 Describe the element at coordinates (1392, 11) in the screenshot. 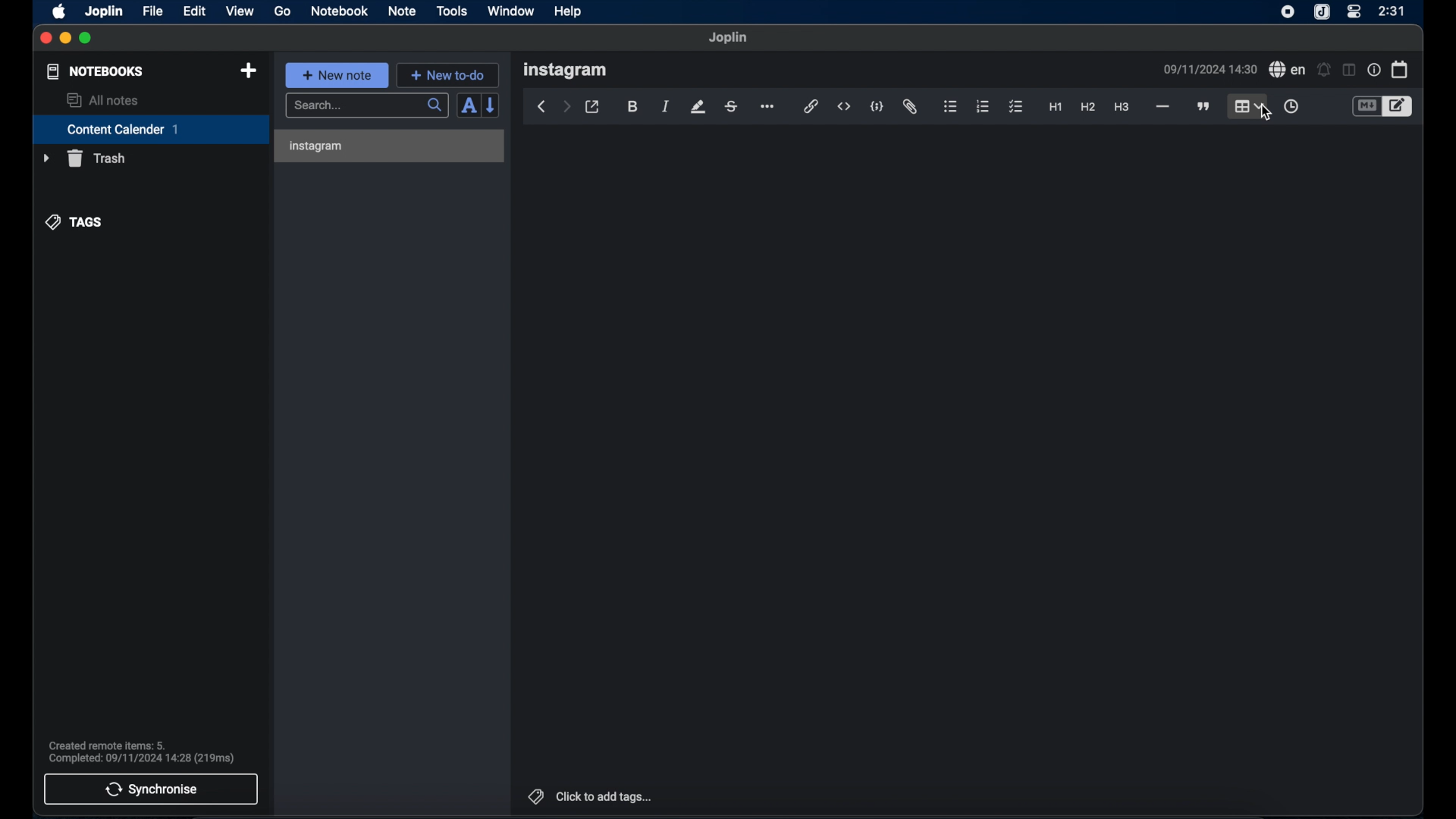

I see `2:31(time)` at that location.